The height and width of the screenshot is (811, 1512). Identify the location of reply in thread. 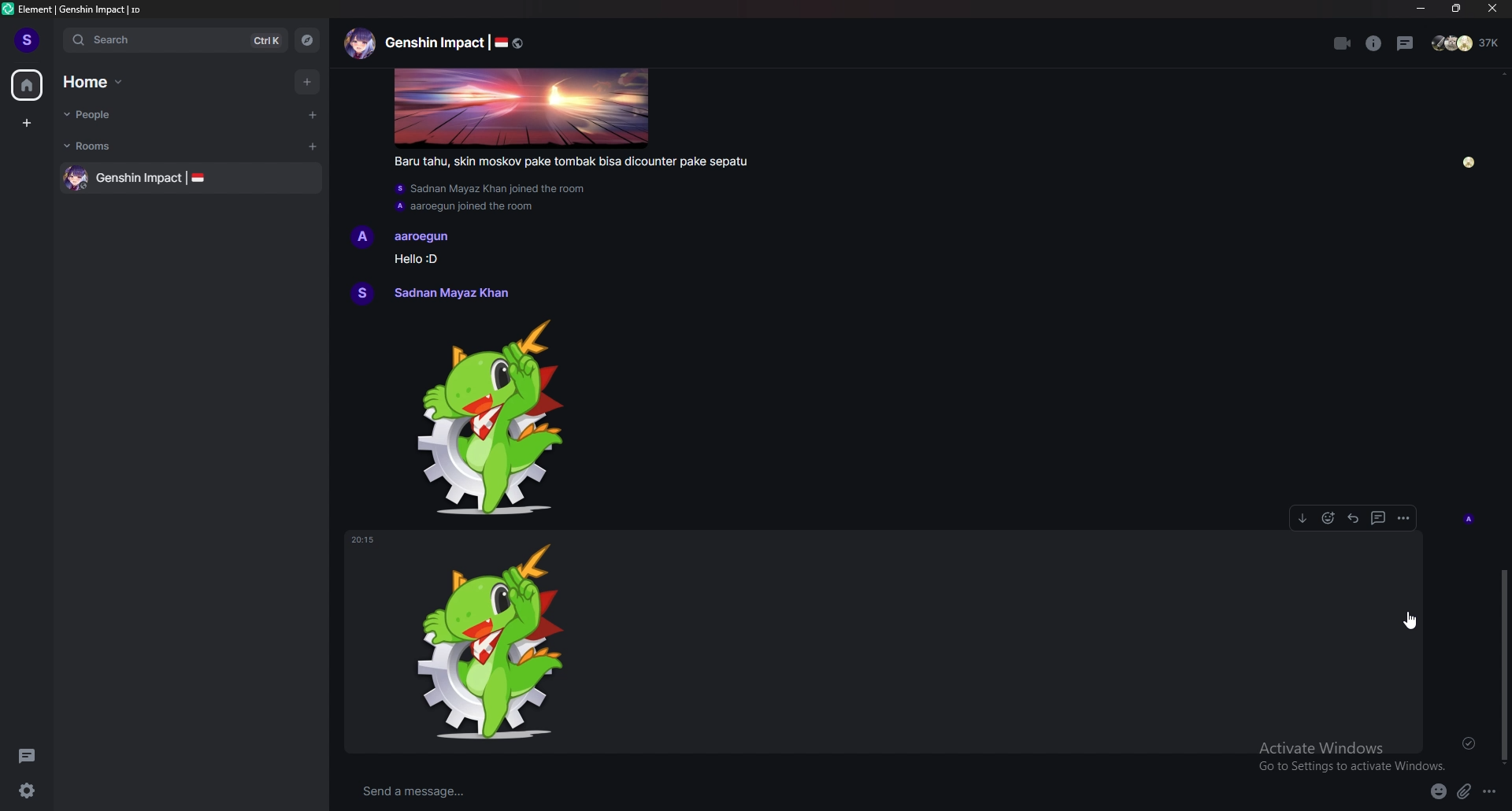
(1378, 518).